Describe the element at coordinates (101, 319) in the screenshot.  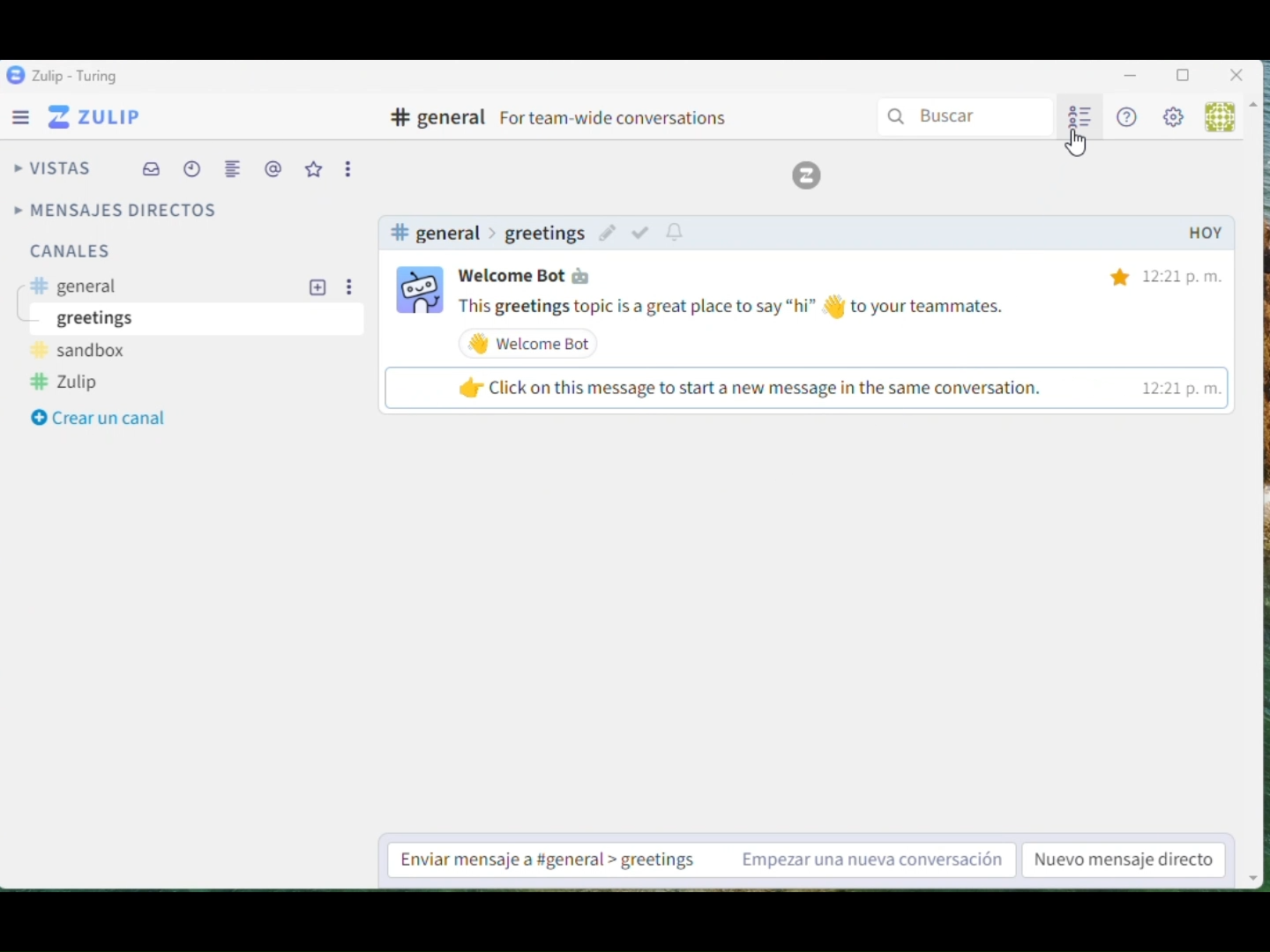
I see `greetings` at that location.